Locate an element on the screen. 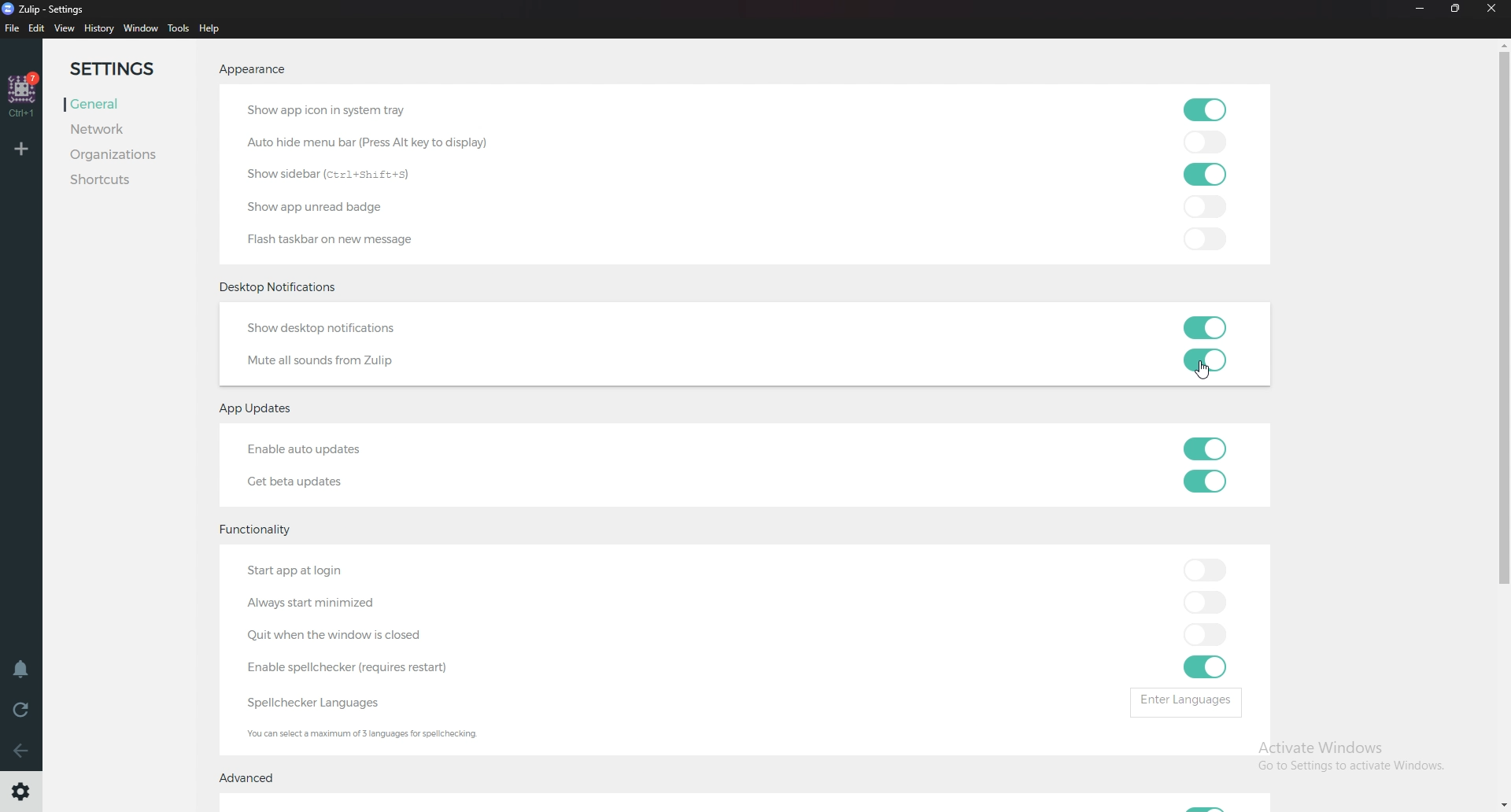 Image resolution: width=1511 pixels, height=812 pixels. Functionality is located at coordinates (260, 531).